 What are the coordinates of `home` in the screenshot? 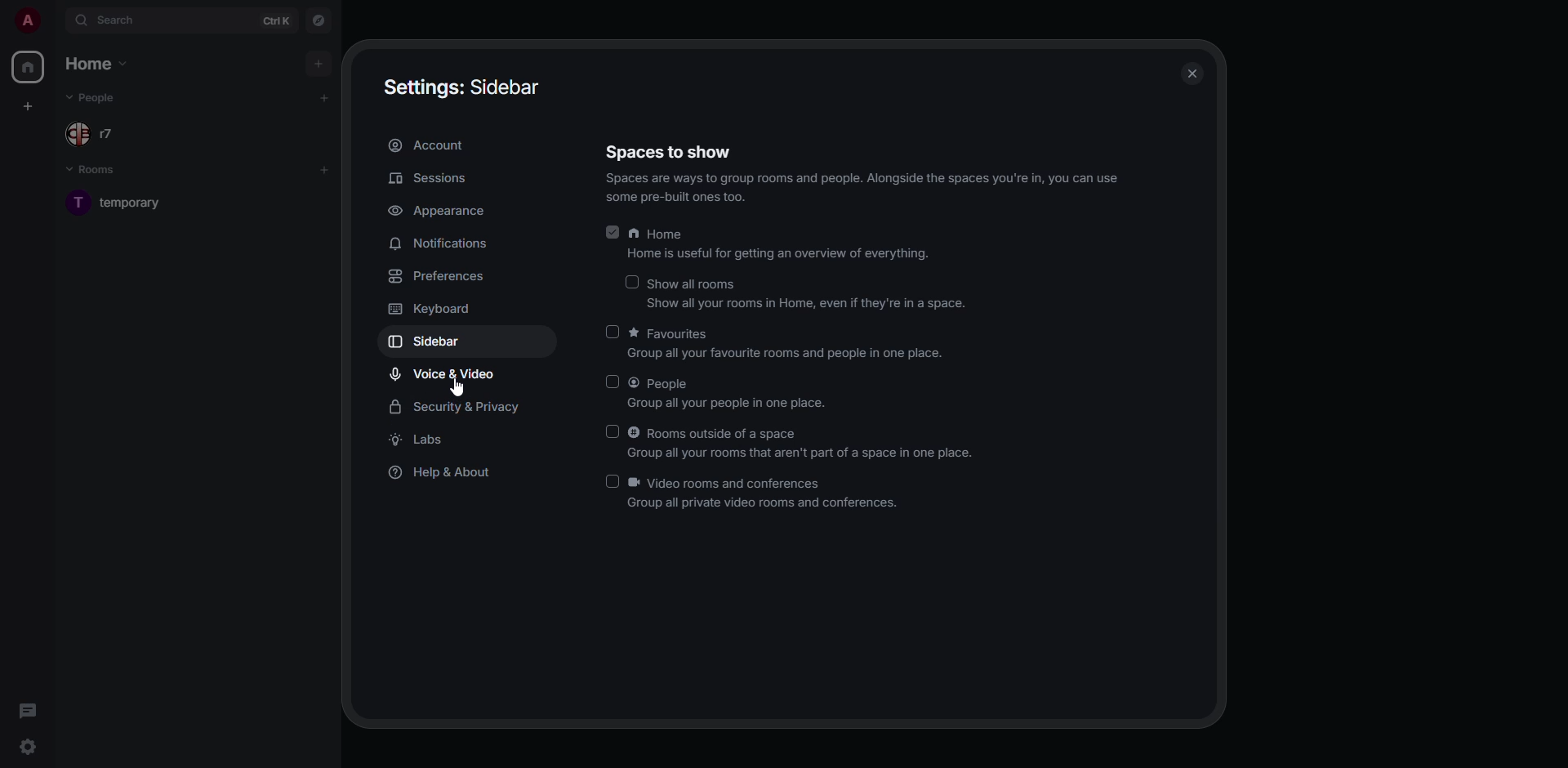 It's located at (30, 68).